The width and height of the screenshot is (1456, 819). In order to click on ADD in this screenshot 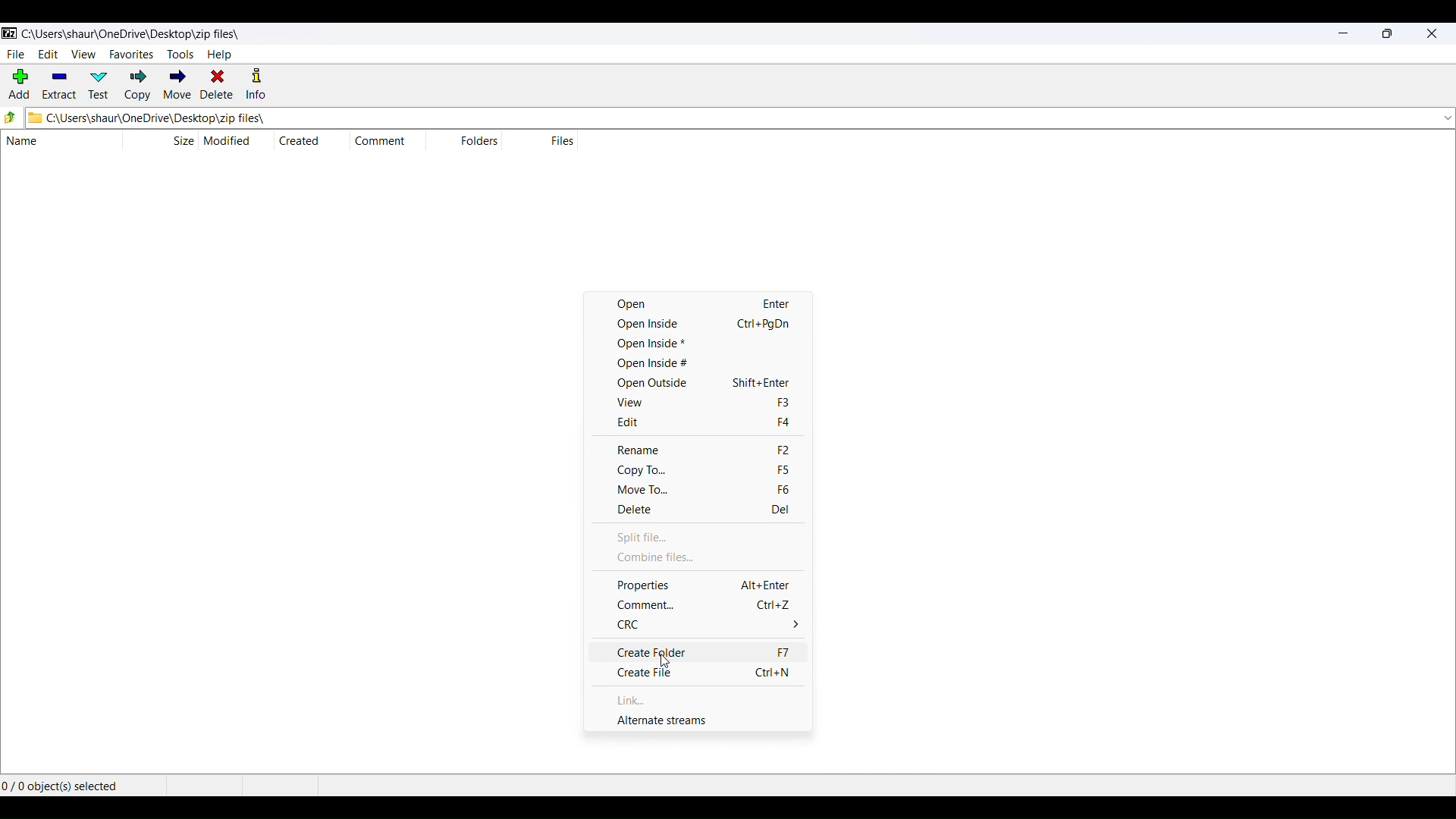, I will do `click(17, 86)`.